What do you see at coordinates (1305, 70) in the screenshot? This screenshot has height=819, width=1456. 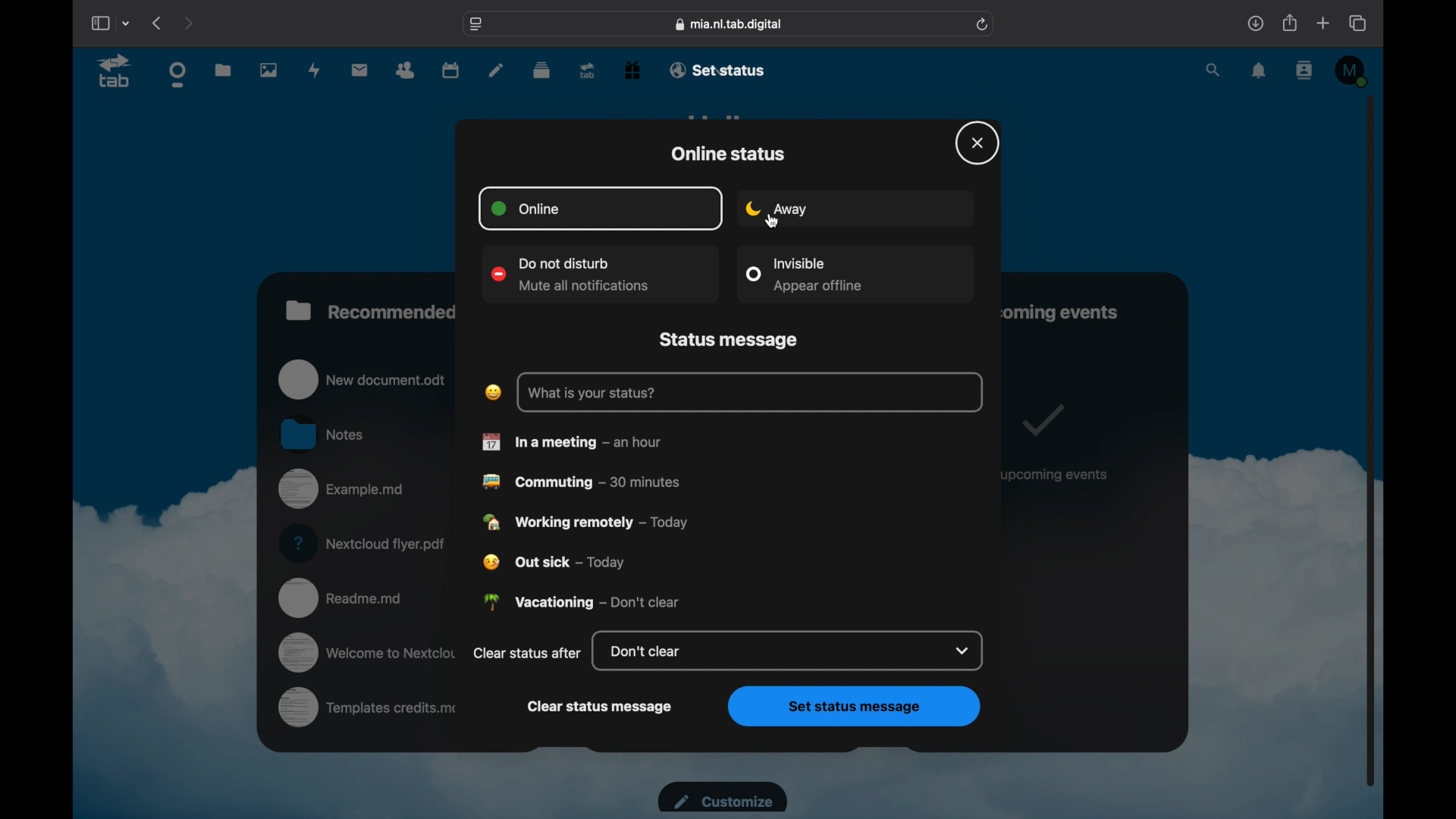 I see `contacts` at bounding box center [1305, 70].